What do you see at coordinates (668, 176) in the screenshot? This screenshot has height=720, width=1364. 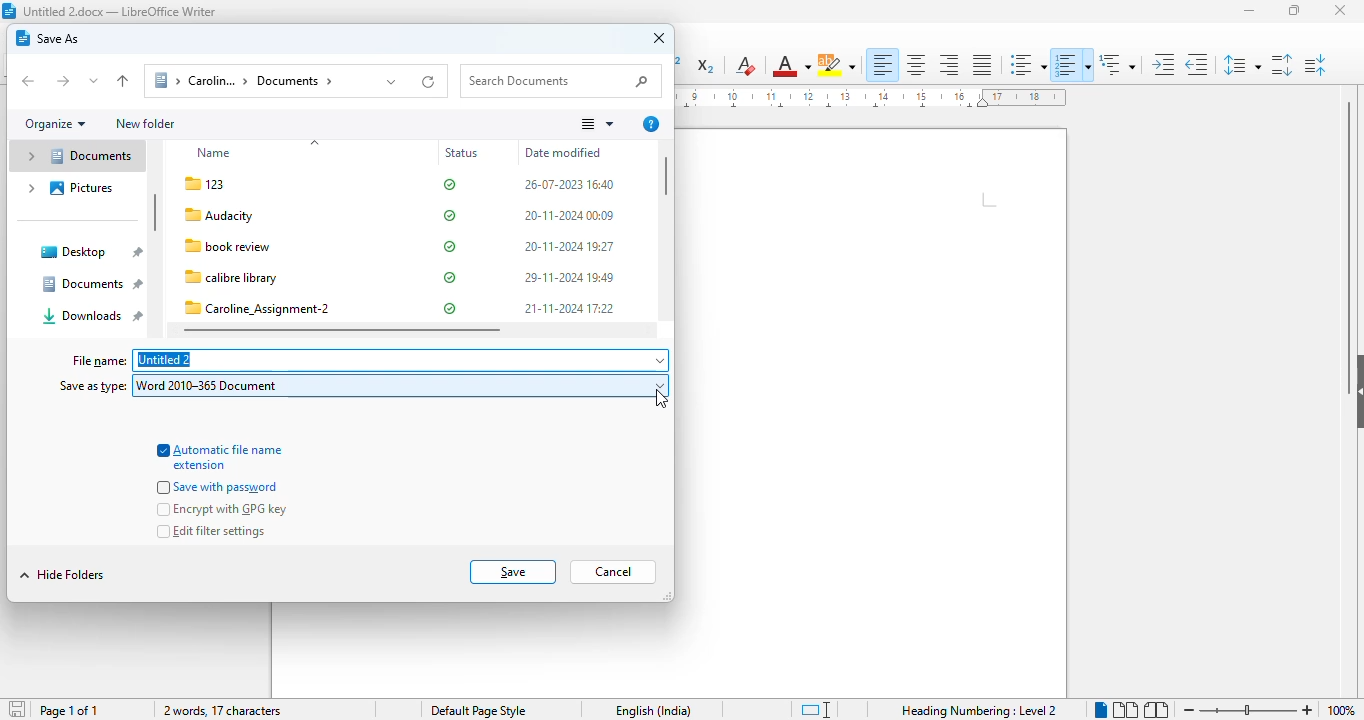 I see `vertical scroll bar` at bounding box center [668, 176].